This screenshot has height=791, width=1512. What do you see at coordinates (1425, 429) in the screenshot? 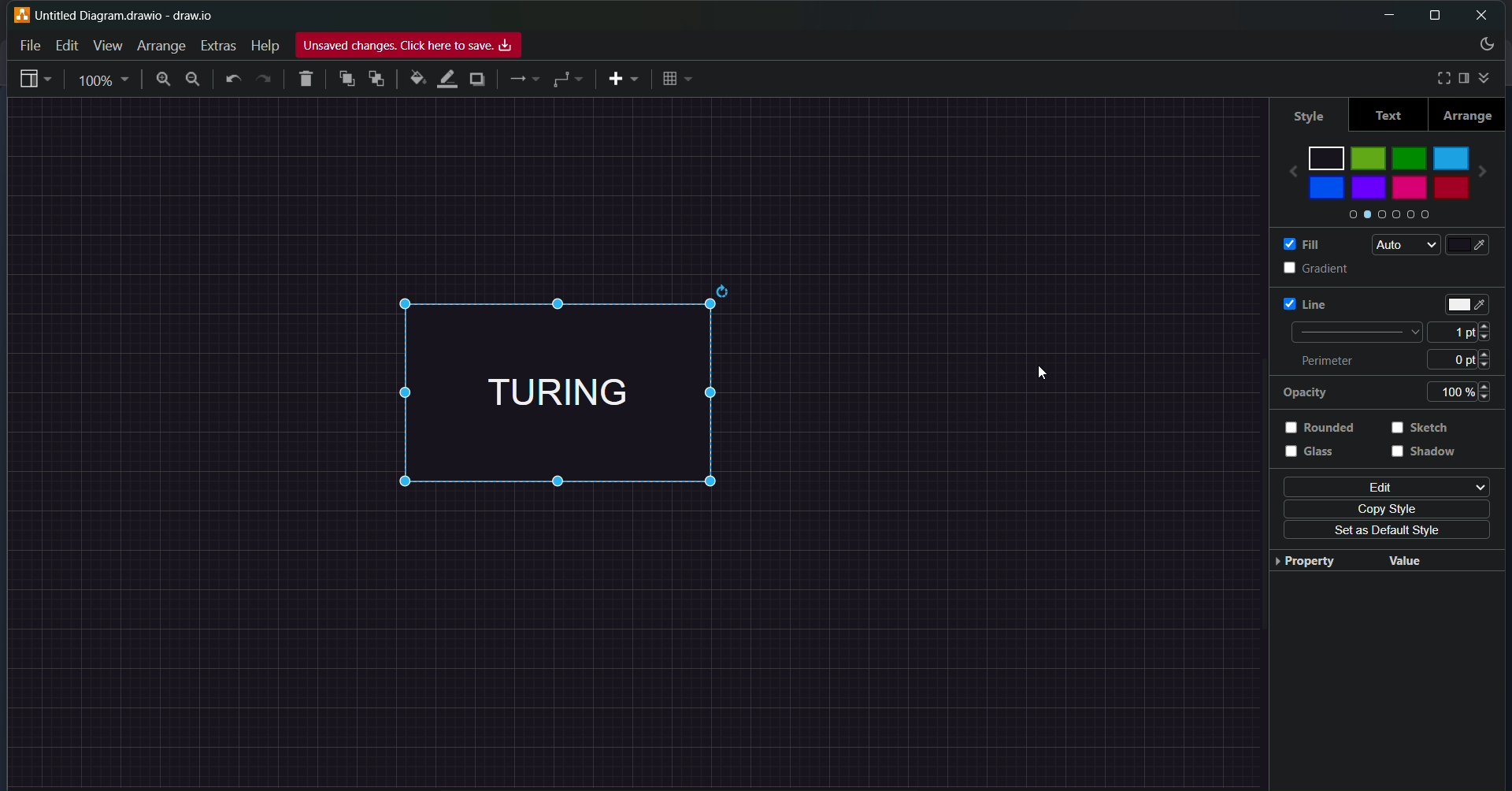
I see `sketch` at bounding box center [1425, 429].